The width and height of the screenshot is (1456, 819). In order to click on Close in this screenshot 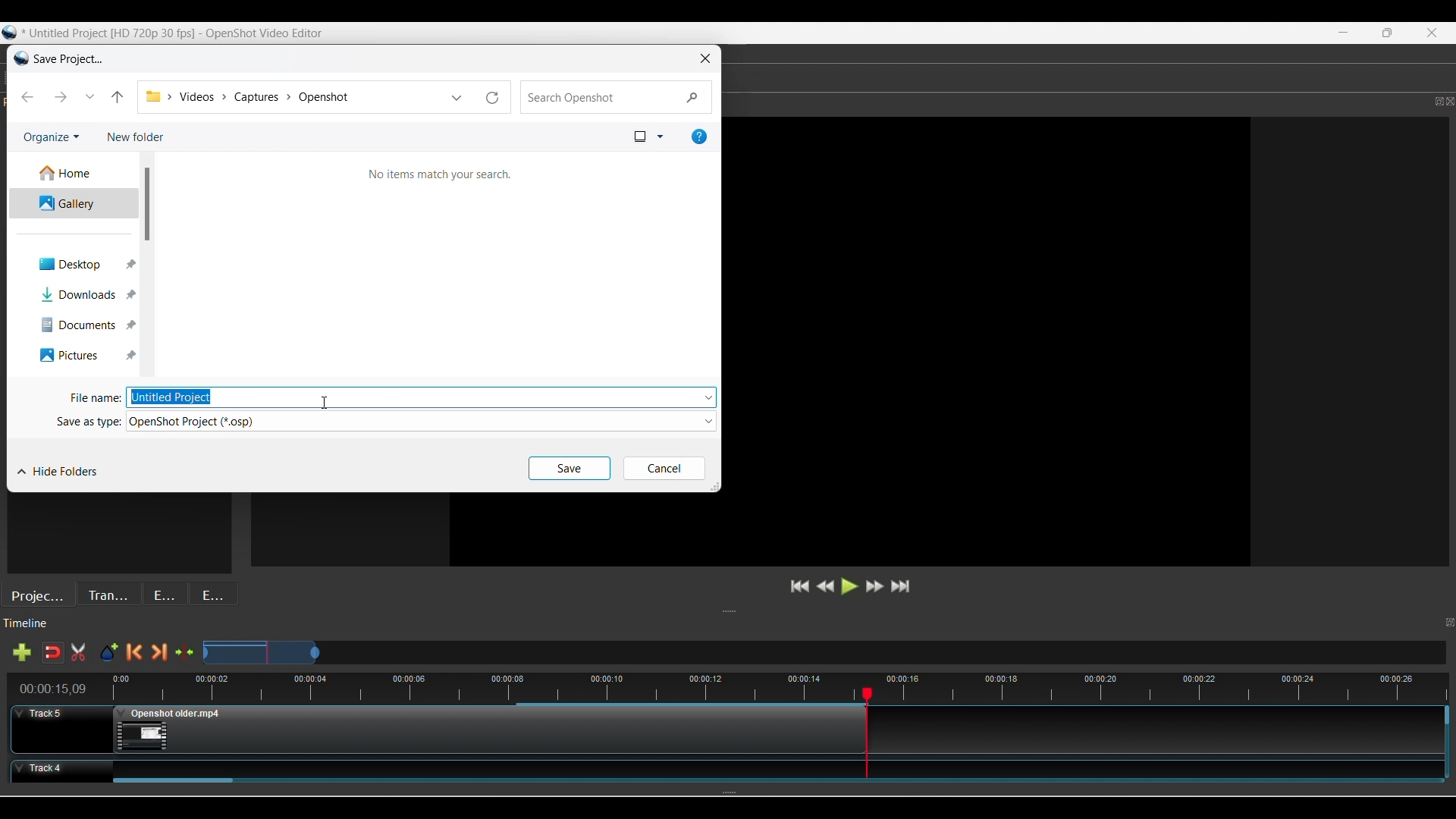, I will do `click(1434, 35)`.